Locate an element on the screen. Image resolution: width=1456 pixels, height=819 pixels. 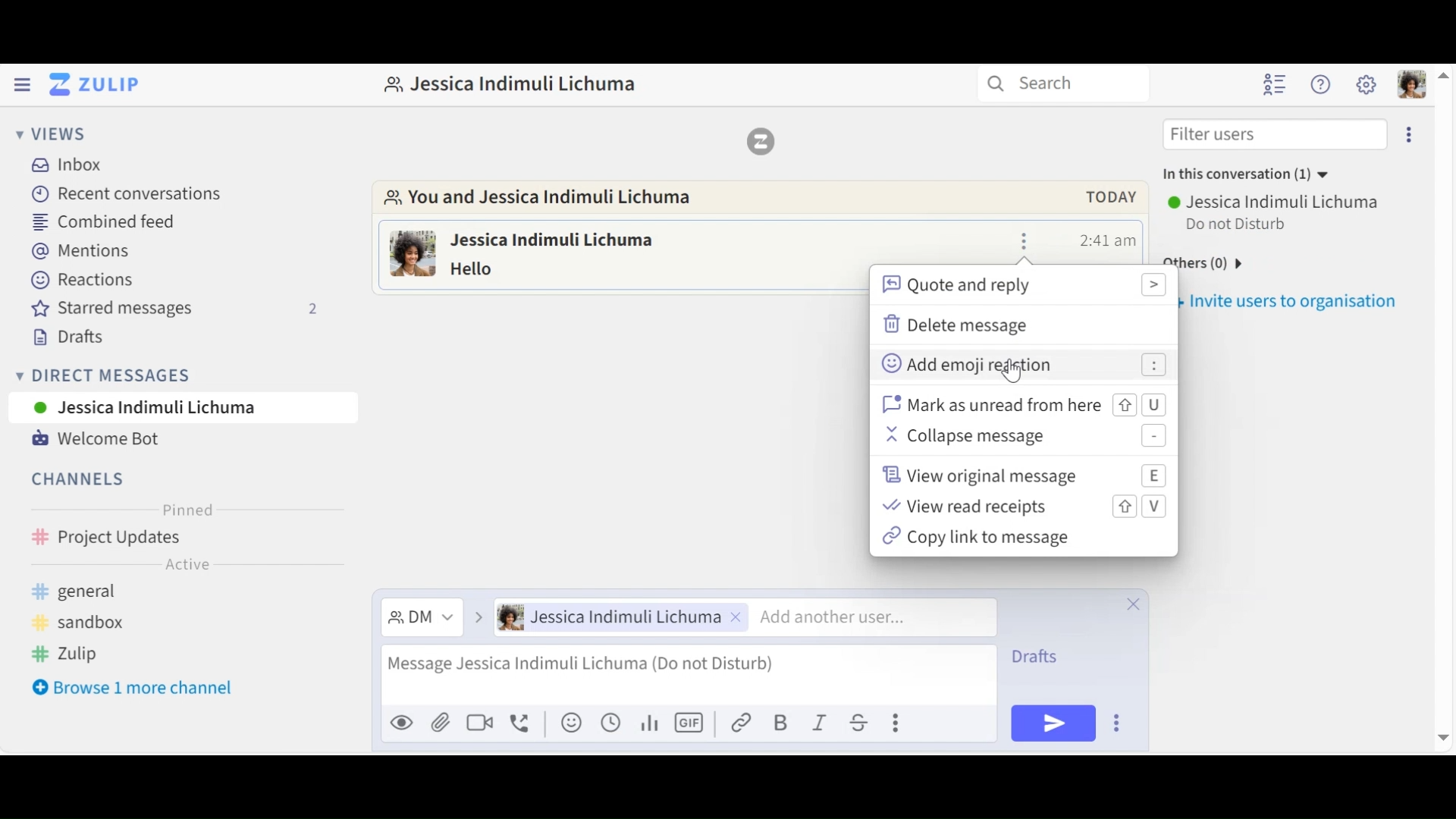
message is located at coordinates (494, 268).